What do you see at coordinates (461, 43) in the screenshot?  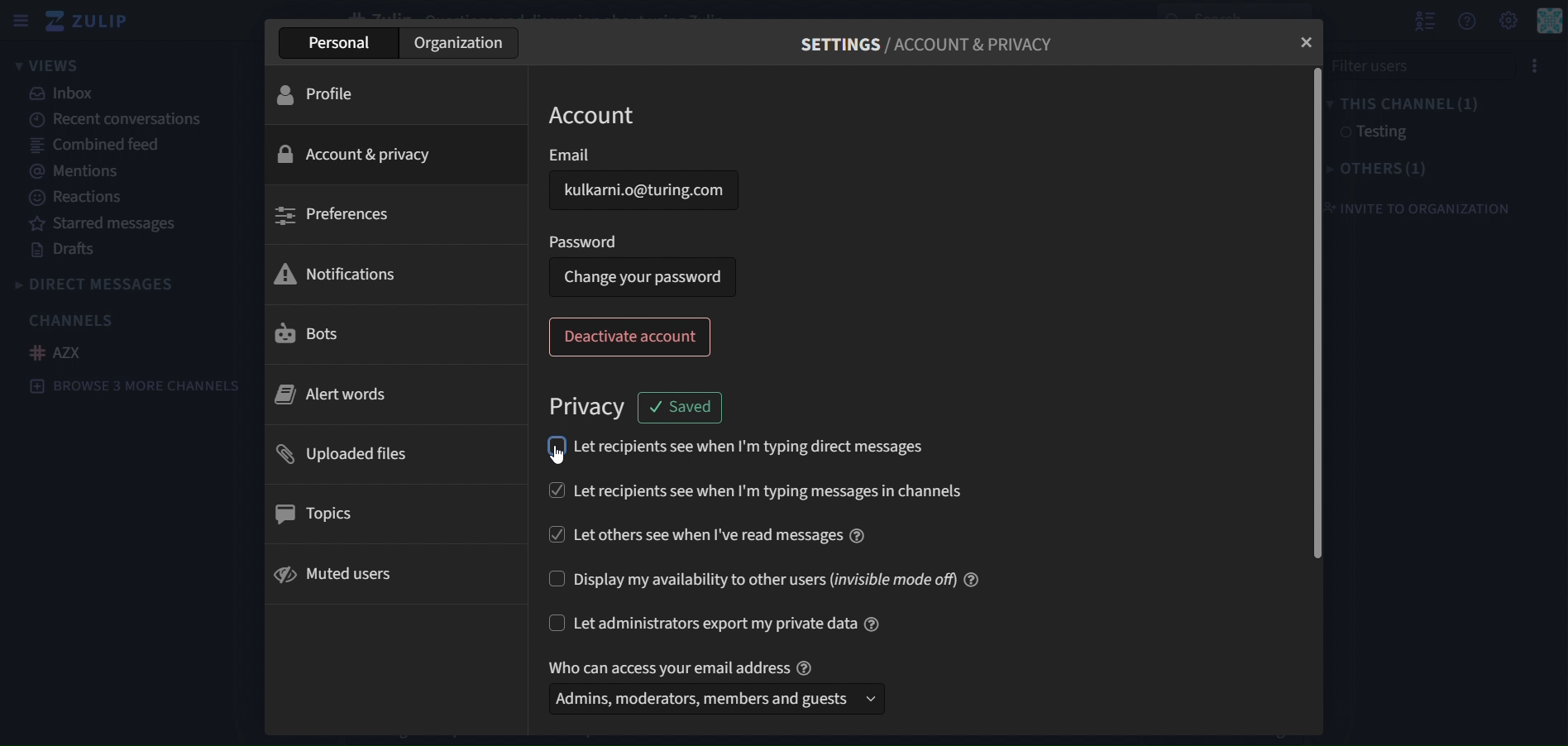 I see `organization` at bounding box center [461, 43].